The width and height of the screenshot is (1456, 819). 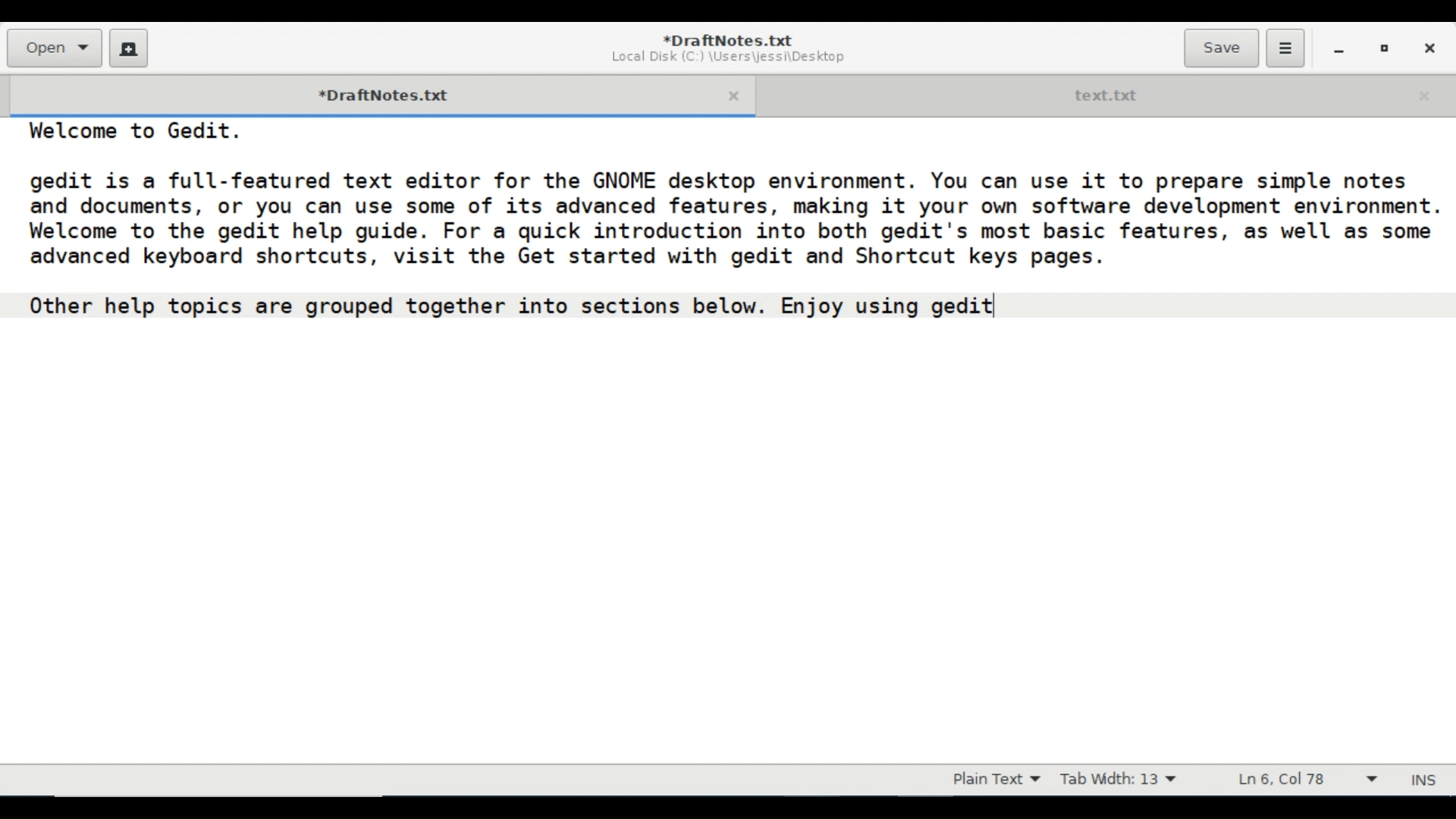 What do you see at coordinates (1385, 47) in the screenshot?
I see `Restore` at bounding box center [1385, 47].